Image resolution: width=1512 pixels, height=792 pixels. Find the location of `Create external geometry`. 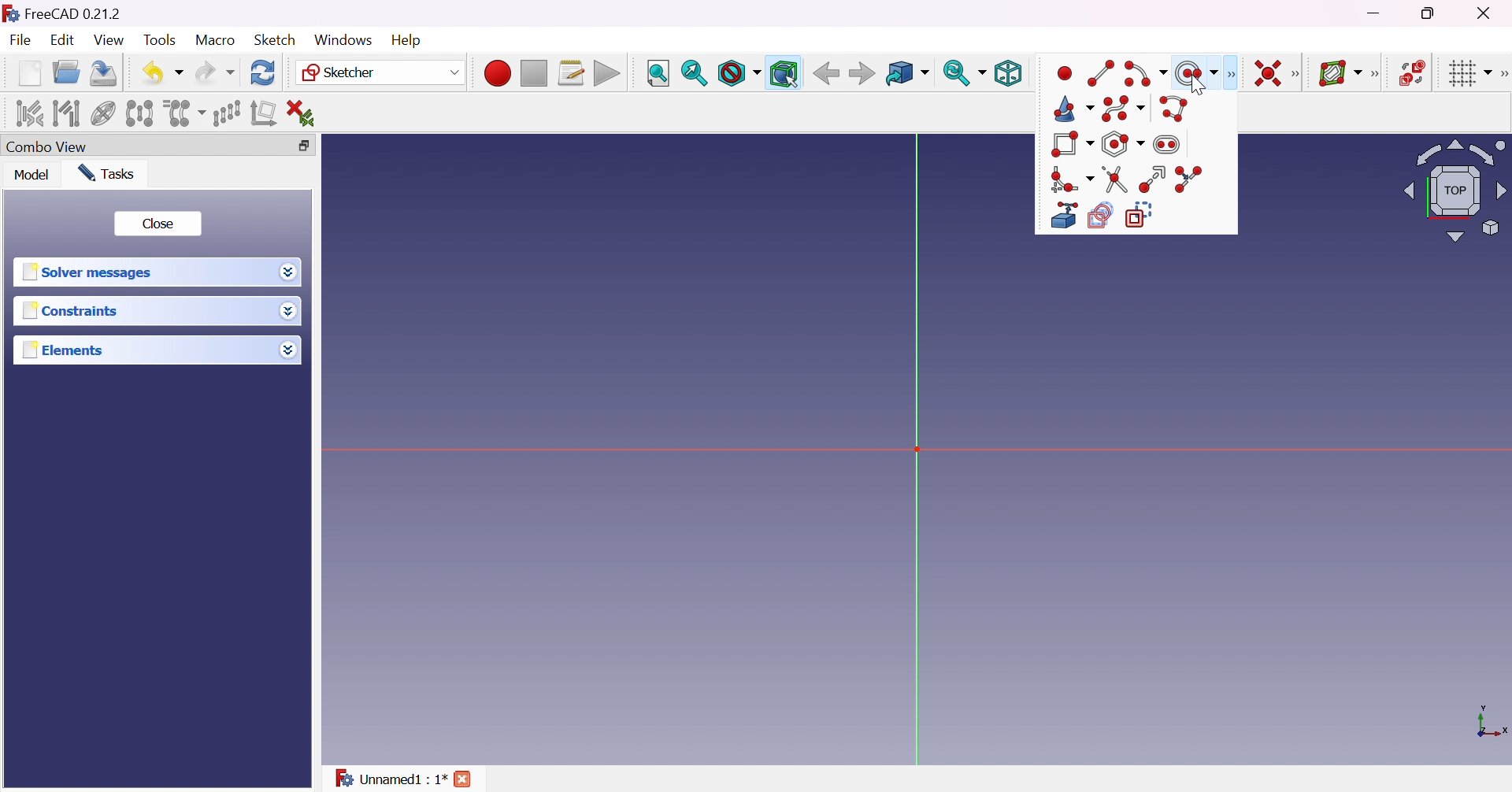

Create external geometry is located at coordinates (1063, 217).